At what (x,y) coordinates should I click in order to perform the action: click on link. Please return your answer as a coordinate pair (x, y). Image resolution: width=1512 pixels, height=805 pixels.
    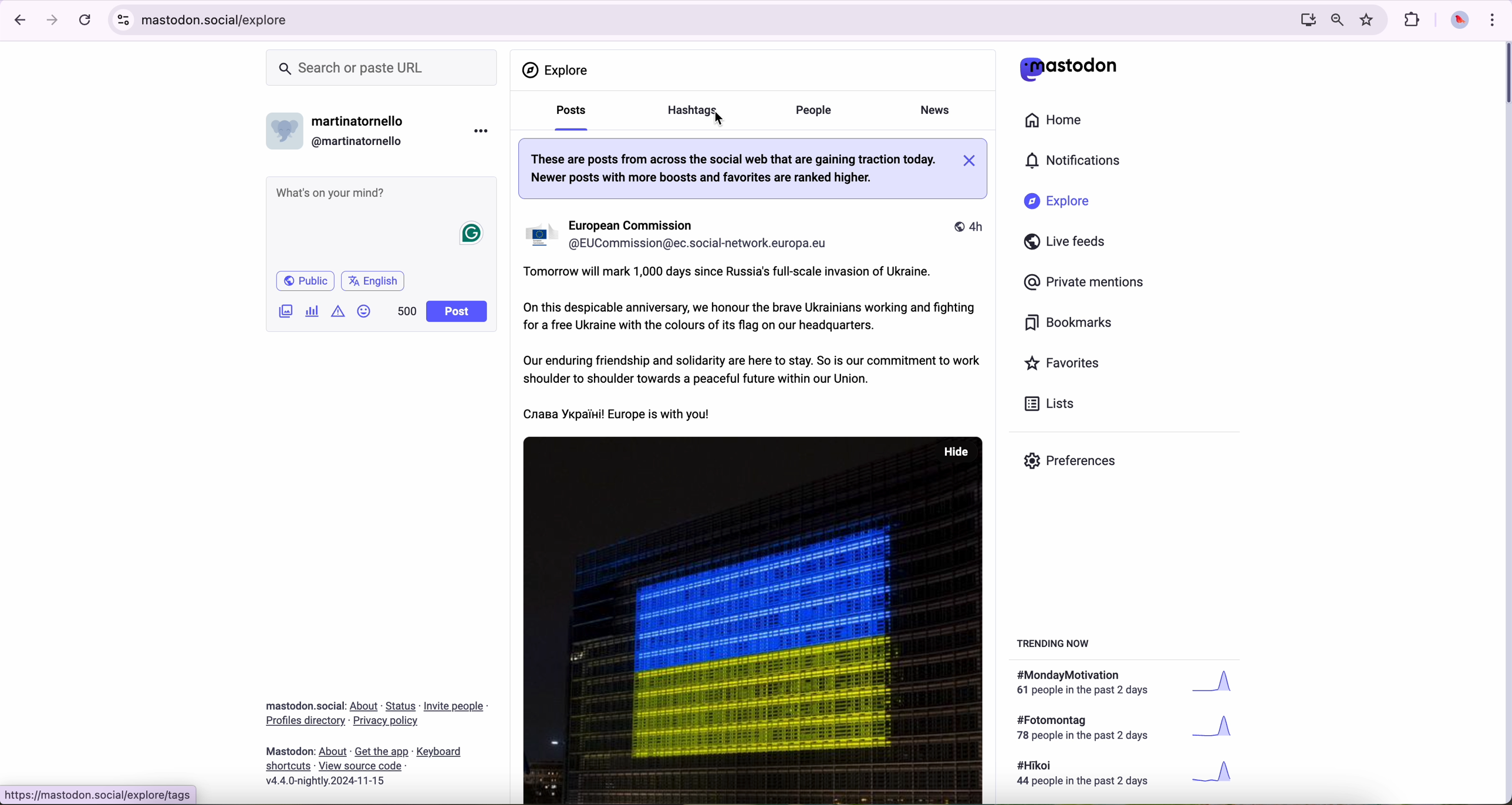
    Looking at the image, I should click on (360, 765).